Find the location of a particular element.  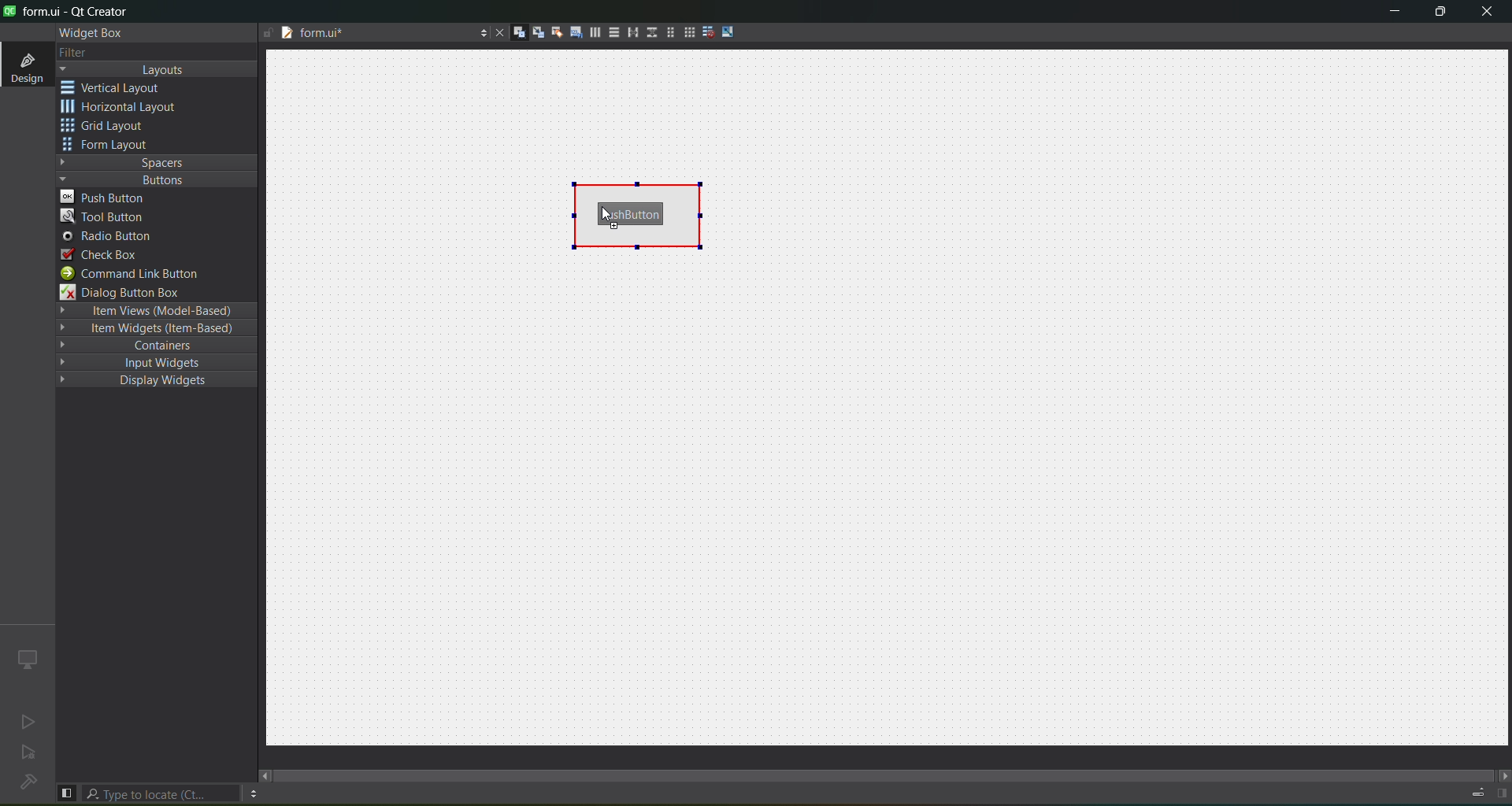

options is located at coordinates (253, 793).